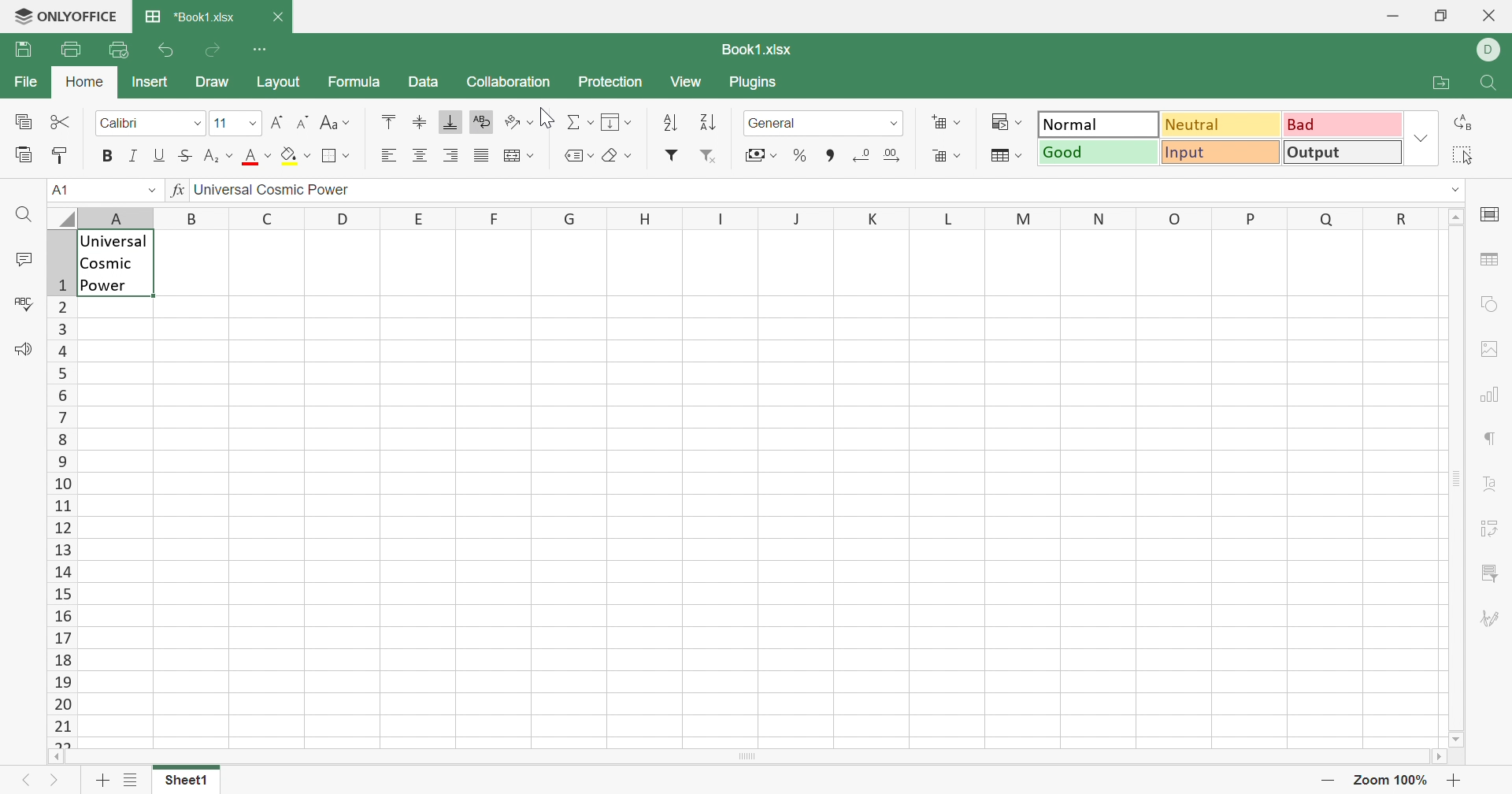 The width and height of the screenshot is (1512, 794). Describe the element at coordinates (1389, 778) in the screenshot. I see `Zoom 100%` at that location.